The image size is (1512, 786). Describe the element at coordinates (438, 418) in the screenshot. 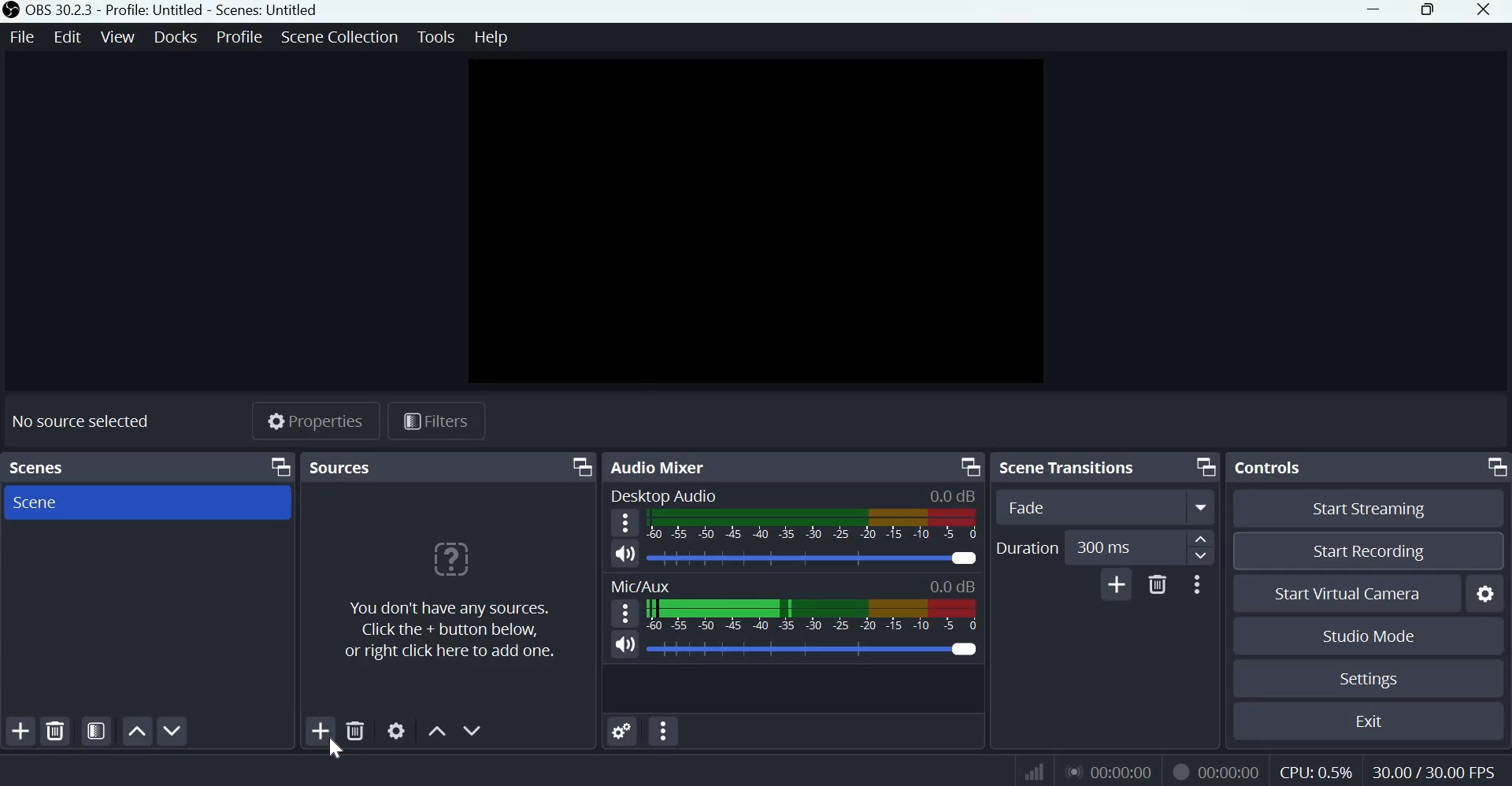

I see `Filters` at that location.